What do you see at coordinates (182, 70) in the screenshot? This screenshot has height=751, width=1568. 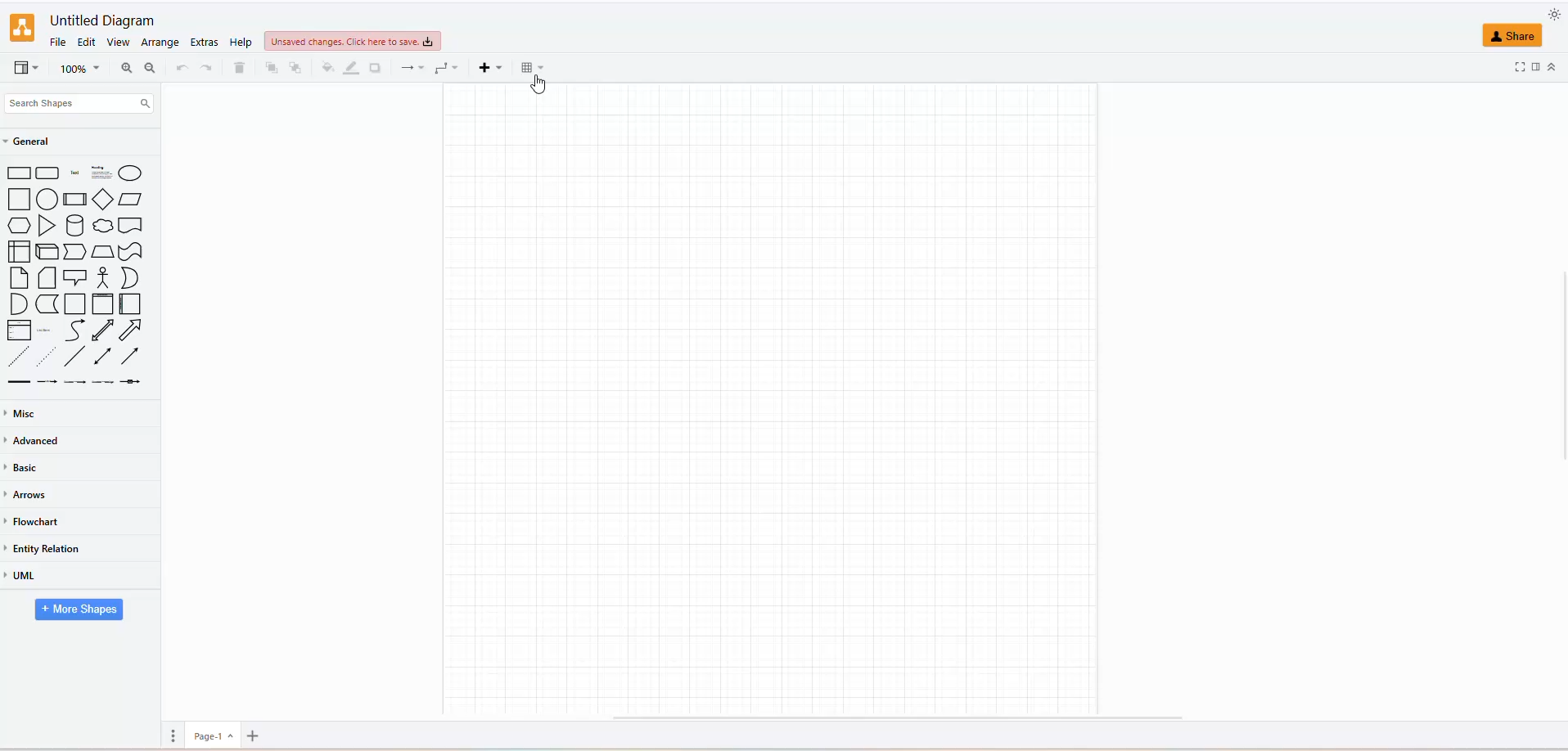 I see `undo` at bounding box center [182, 70].